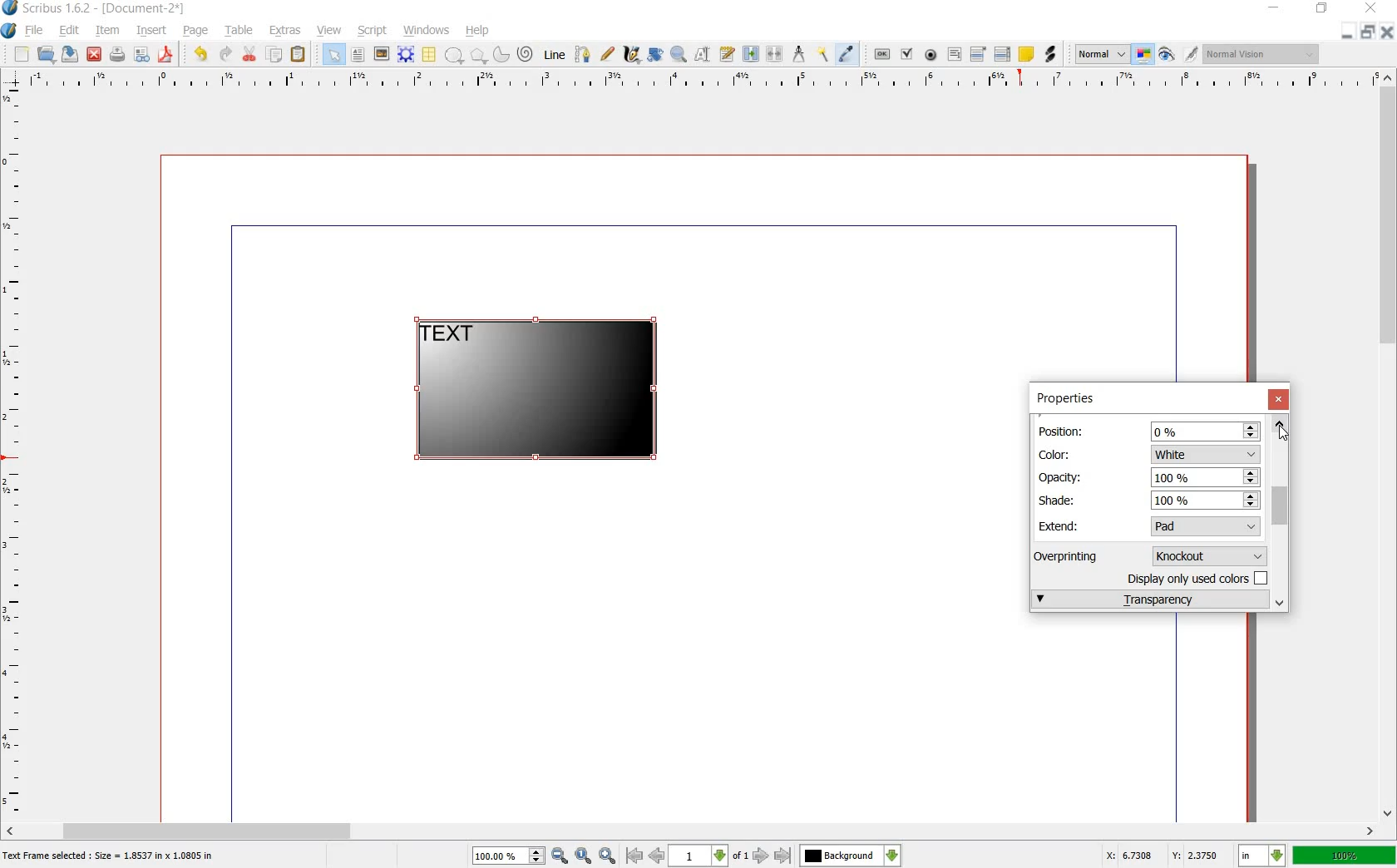 This screenshot has width=1397, height=868. What do you see at coordinates (1063, 476) in the screenshot?
I see `opacity` at bounding box center [1063, 476].